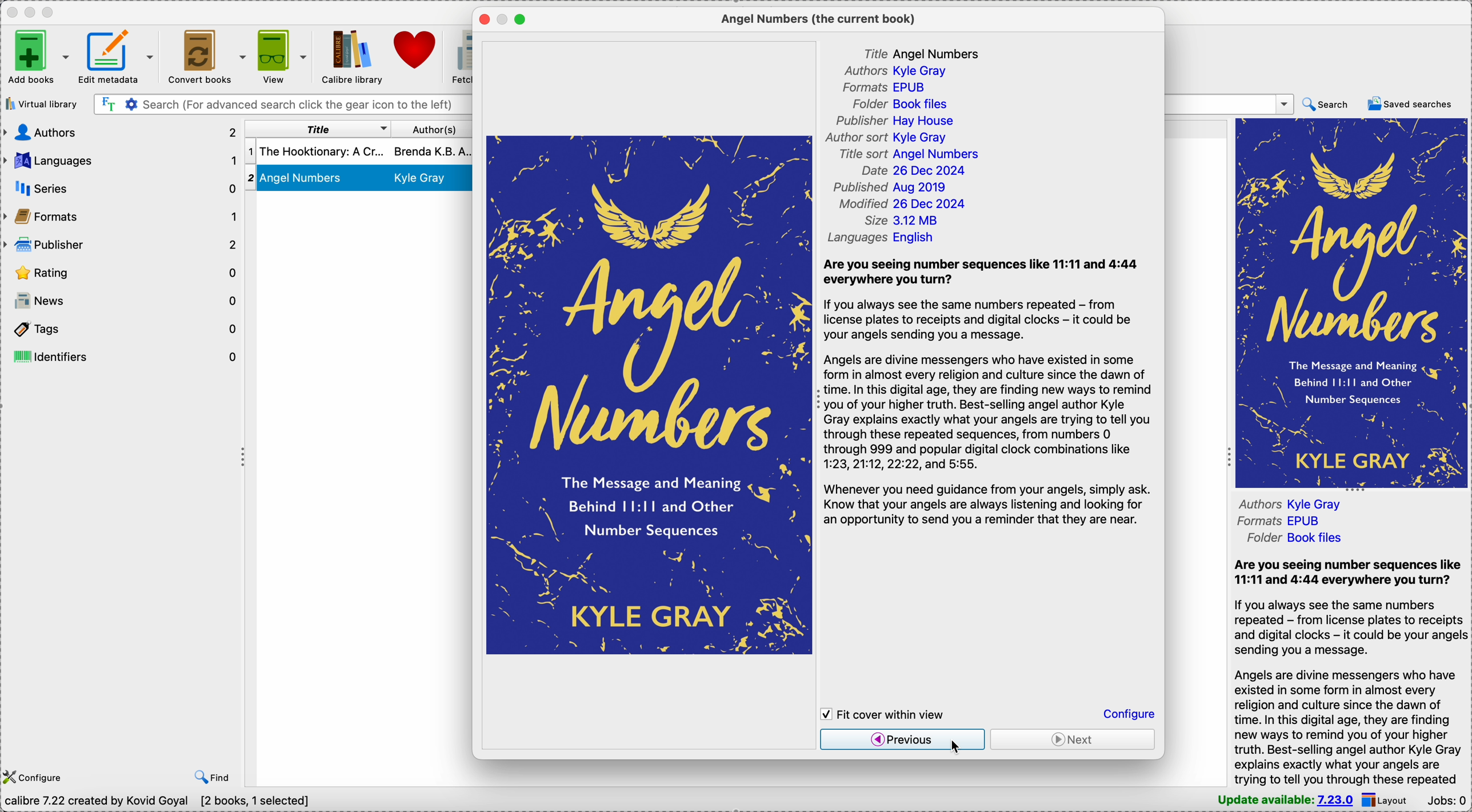  What do you see at coordinates (41, 103) in the screenshot?
I see `virtual library` at bounding box center [41, 103].